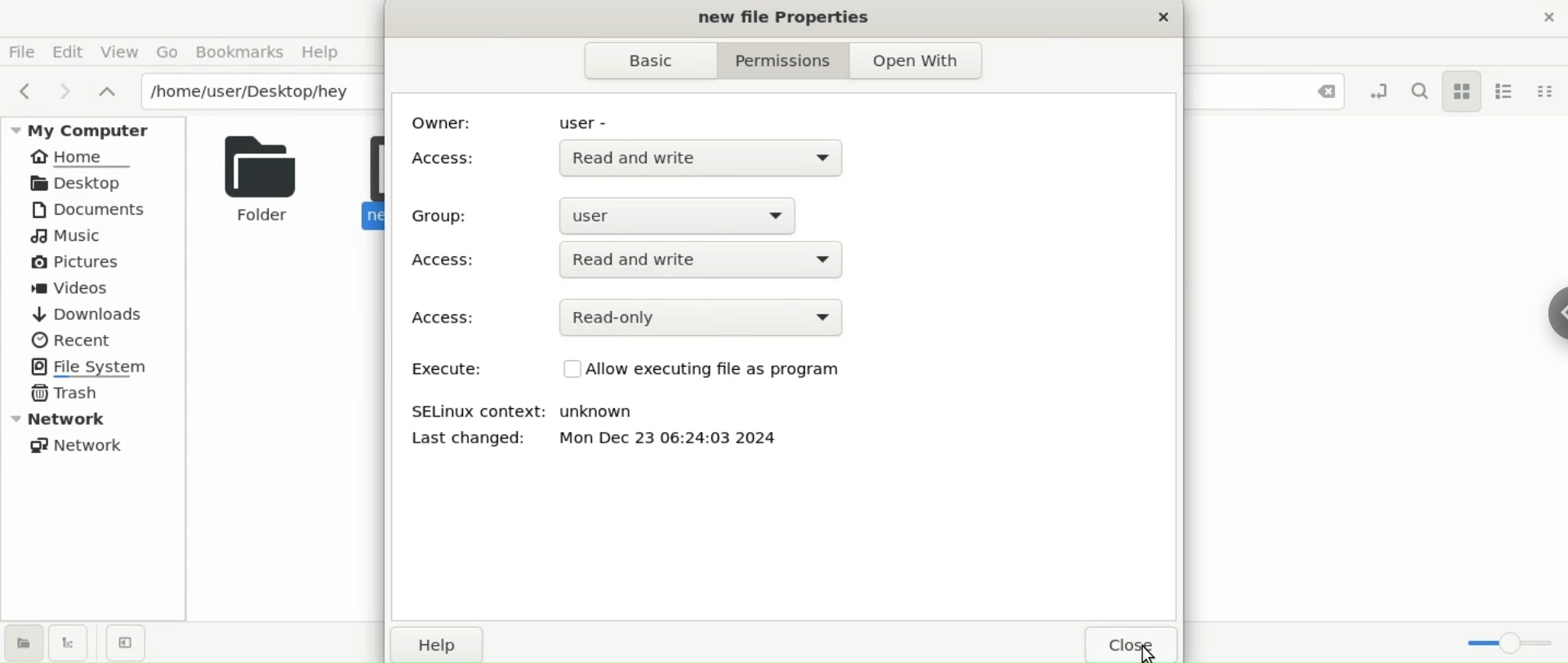  Describe the element at coordinates (1132, 645) in the screenshot. I see `close` at that location.